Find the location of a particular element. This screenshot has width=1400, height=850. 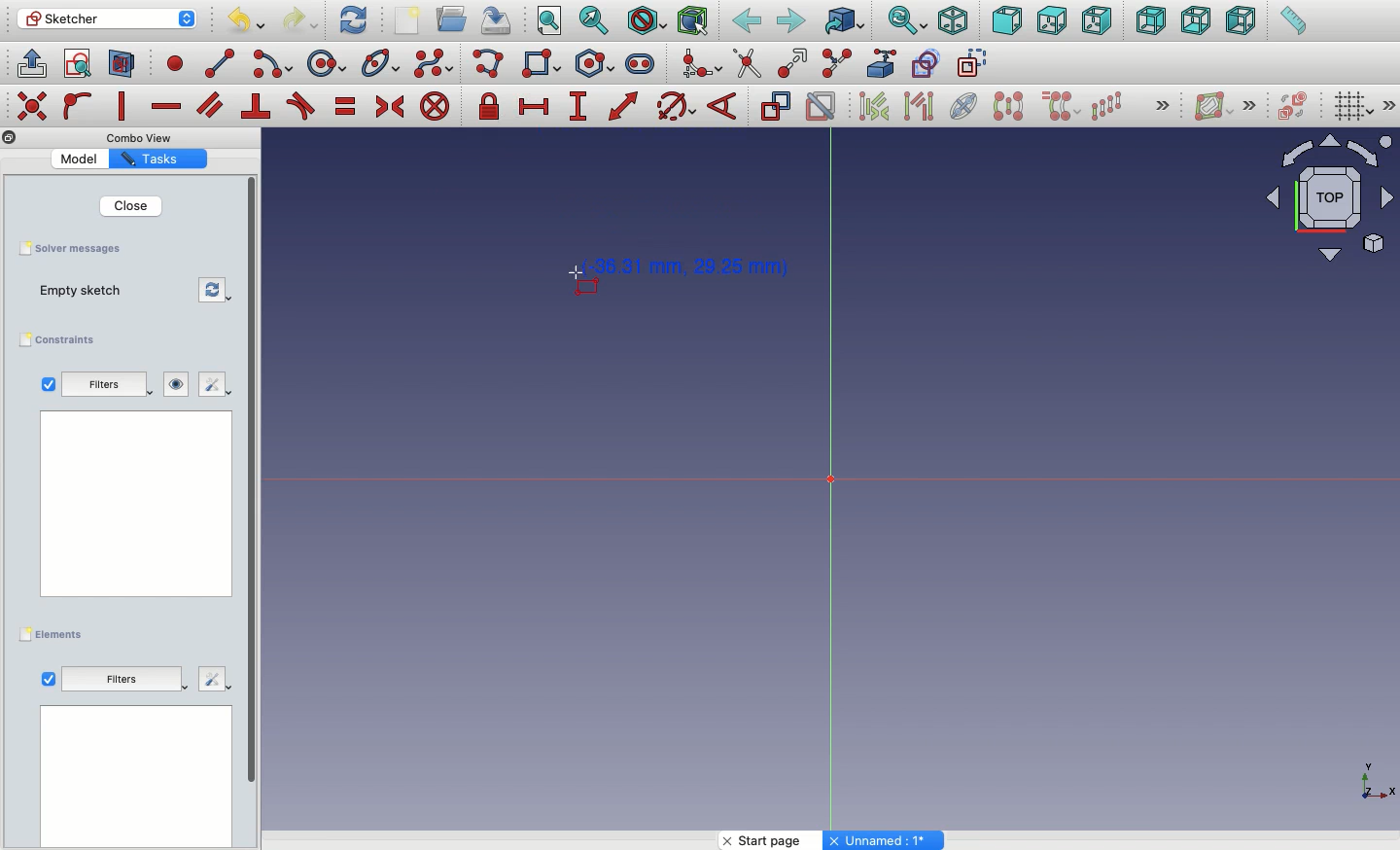

constrain block is located at coordinates (434, 106).